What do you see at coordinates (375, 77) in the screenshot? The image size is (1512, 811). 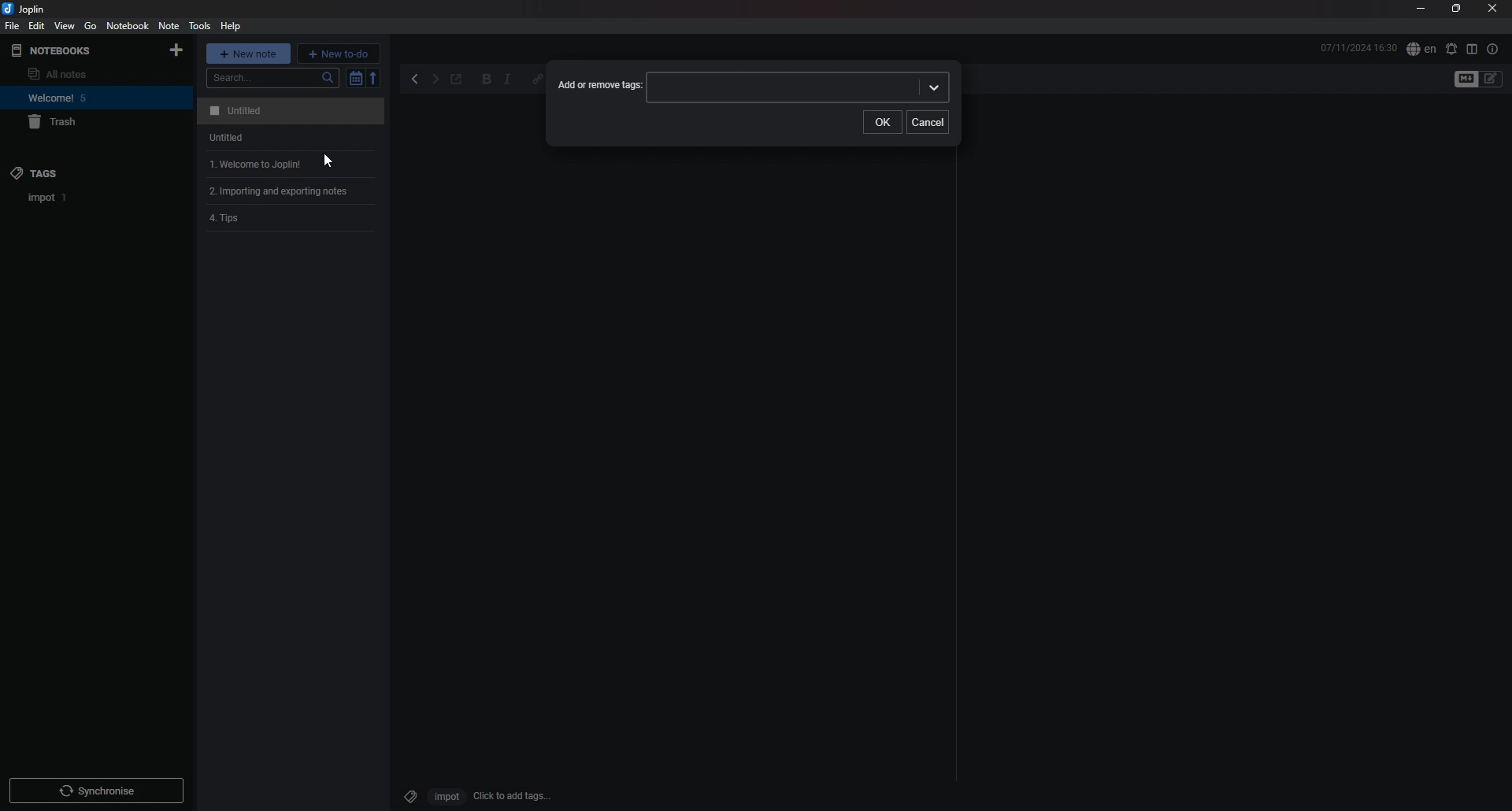 I see `reverse sort order` at bounding box center [375, 77].